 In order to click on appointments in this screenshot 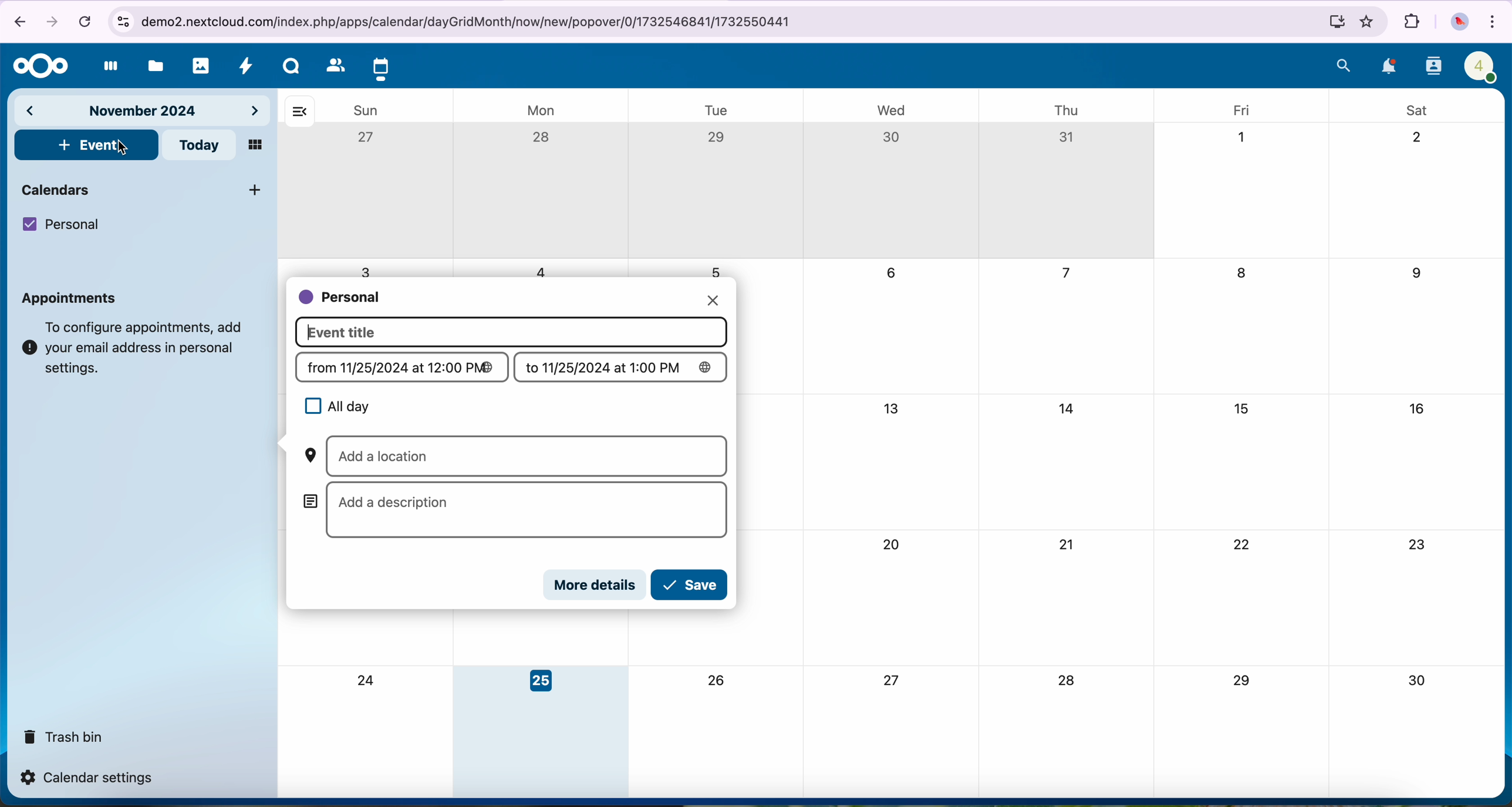, I will do `click(73, 298)`.